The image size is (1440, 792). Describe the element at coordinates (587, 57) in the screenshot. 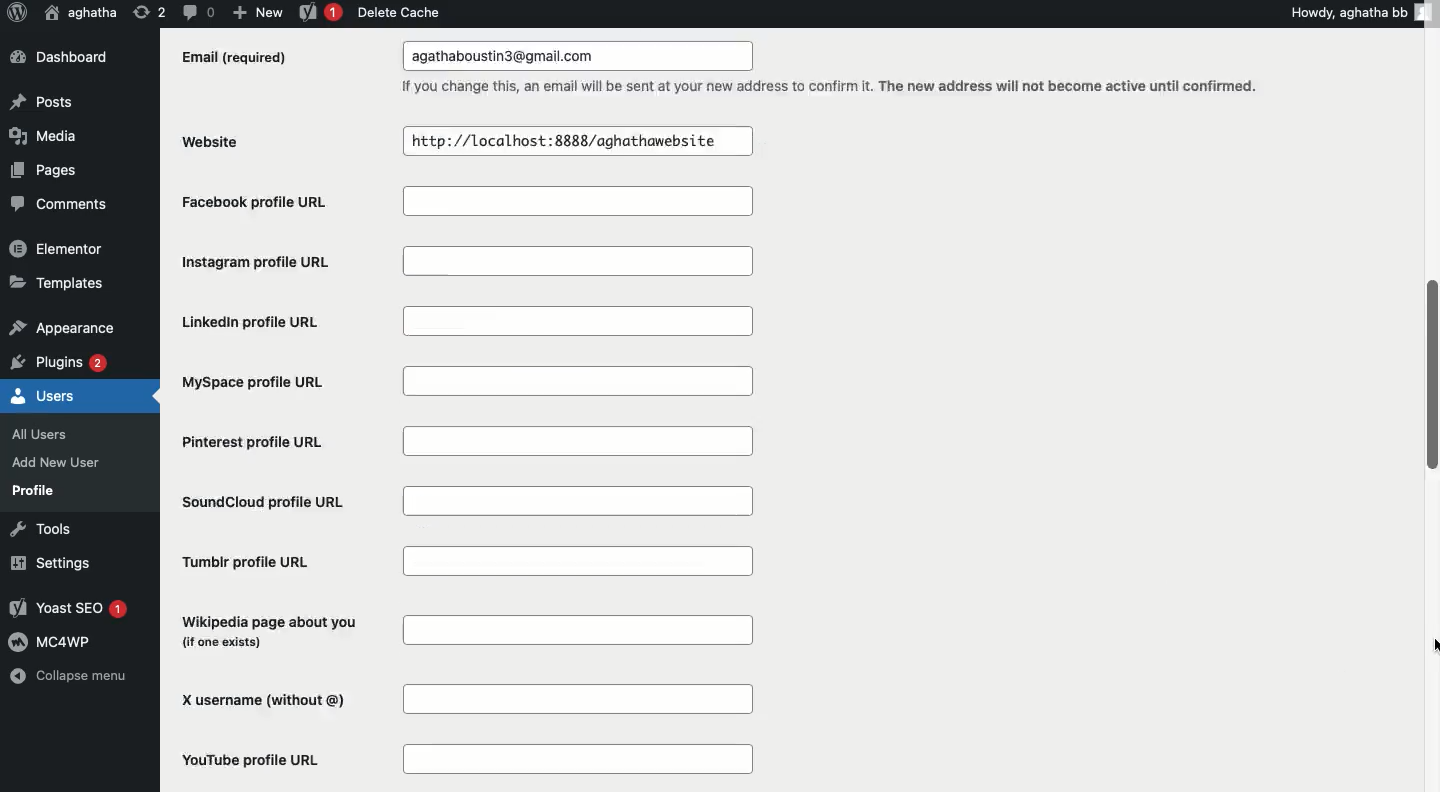

I see `agathaboustin3@gmail.com` at that location.